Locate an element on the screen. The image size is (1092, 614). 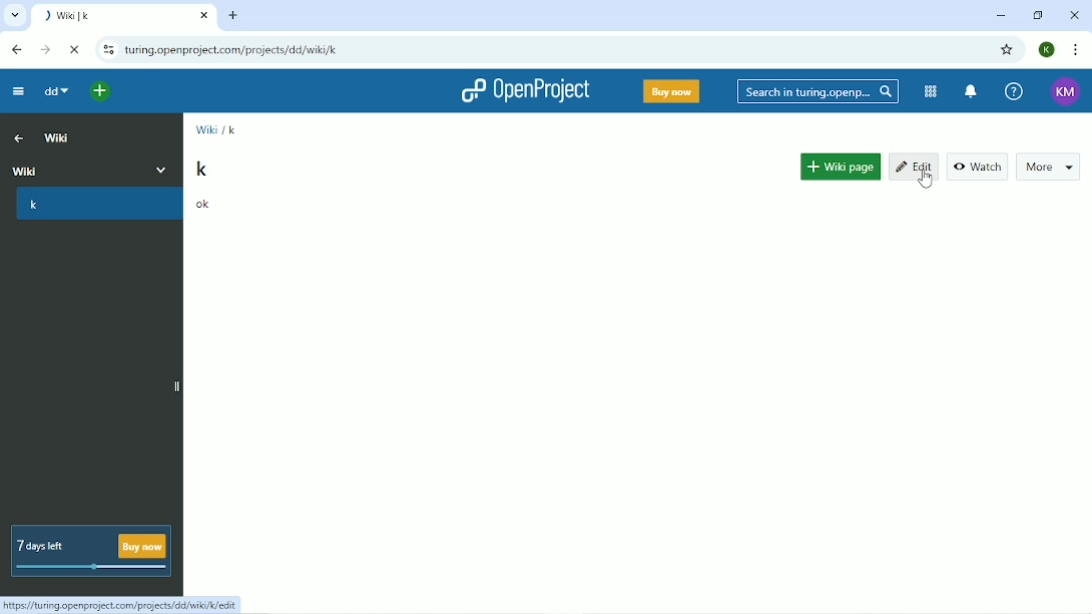
Back is located at coordinates (16, 50).